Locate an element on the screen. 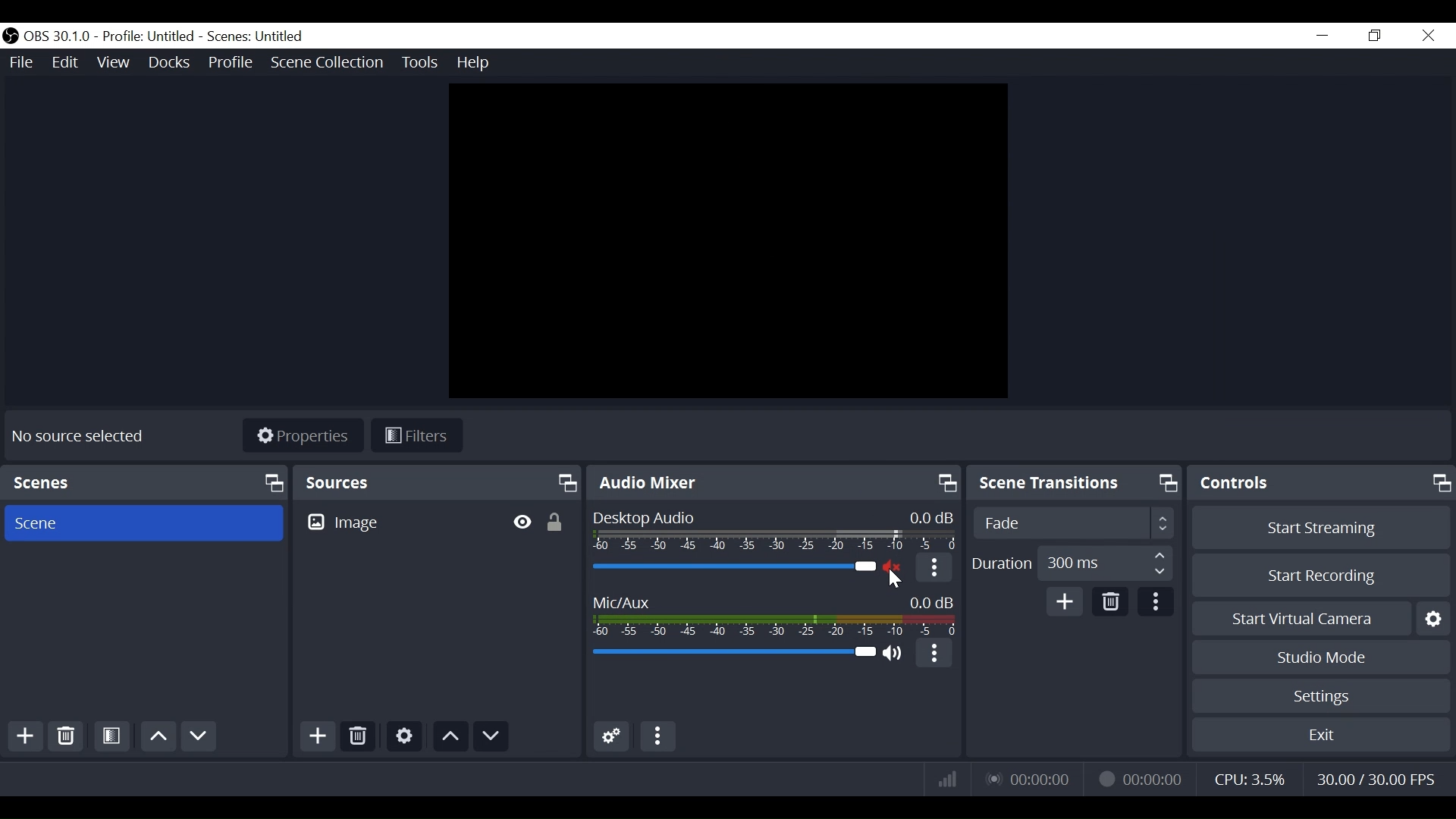  Add Source is located at coordinates (316, 736).